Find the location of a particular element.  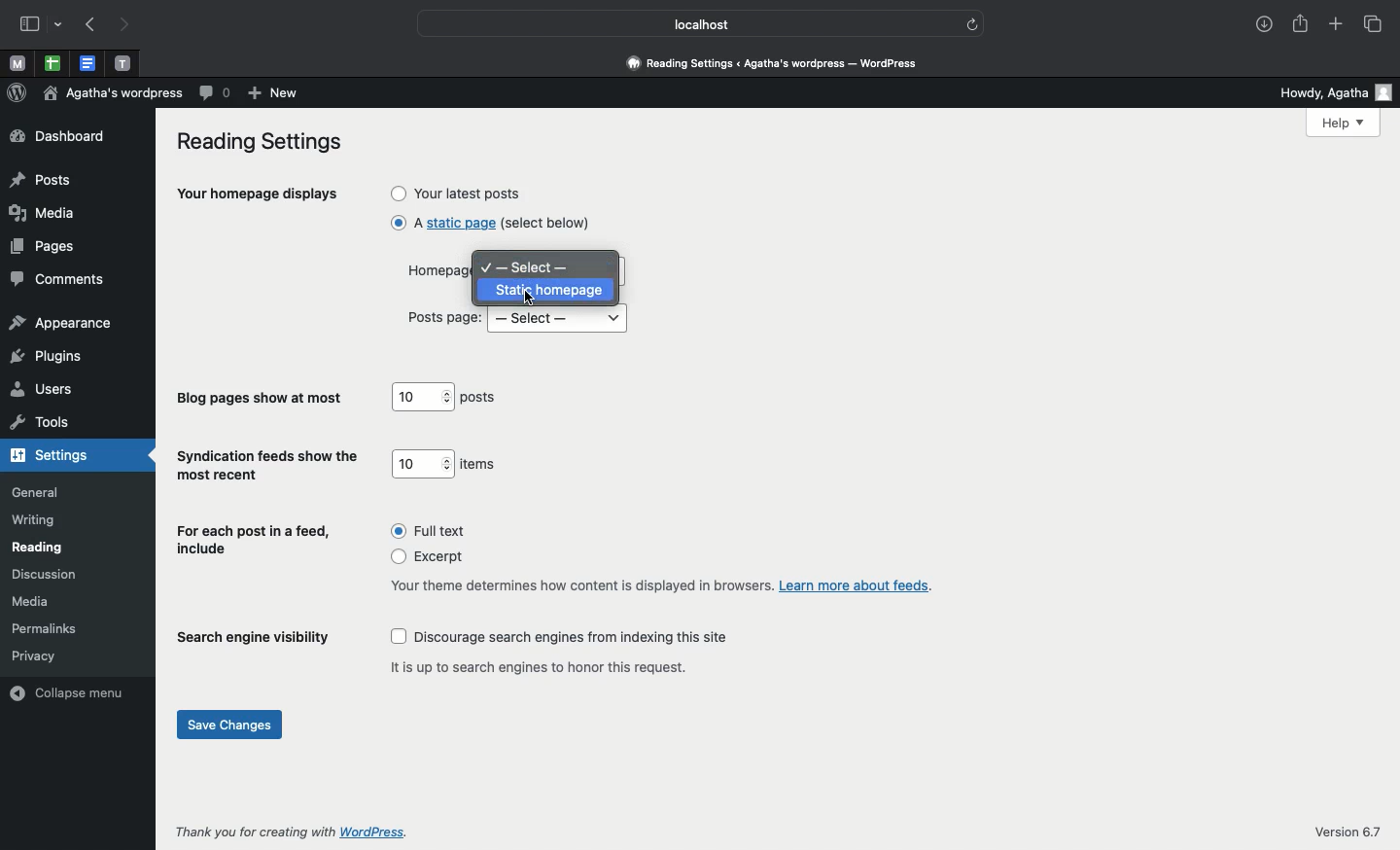

Pinned tabs is located at coordinates (52, 63).